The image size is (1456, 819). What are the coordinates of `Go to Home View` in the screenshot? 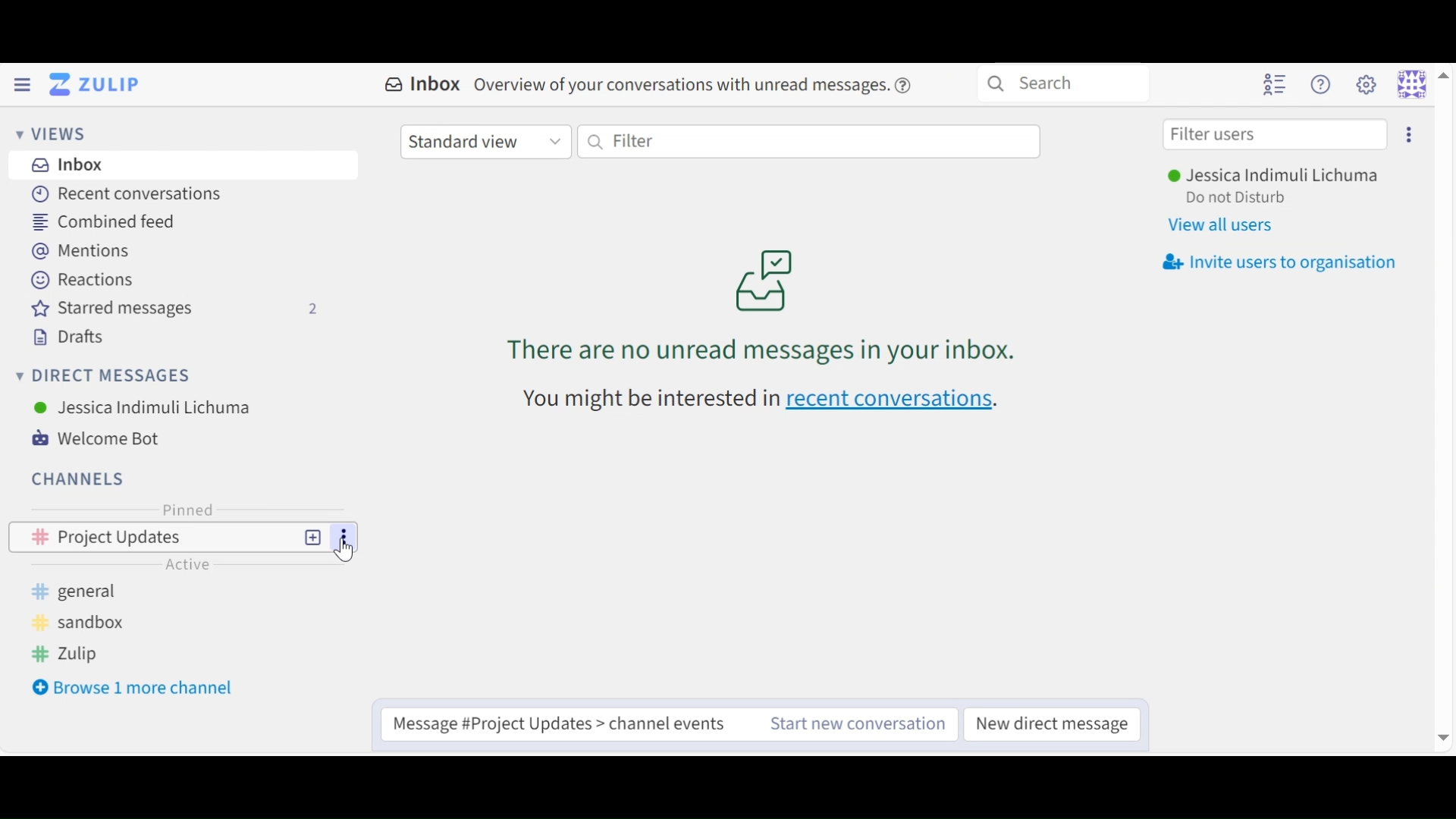 It's located at (92, 86).